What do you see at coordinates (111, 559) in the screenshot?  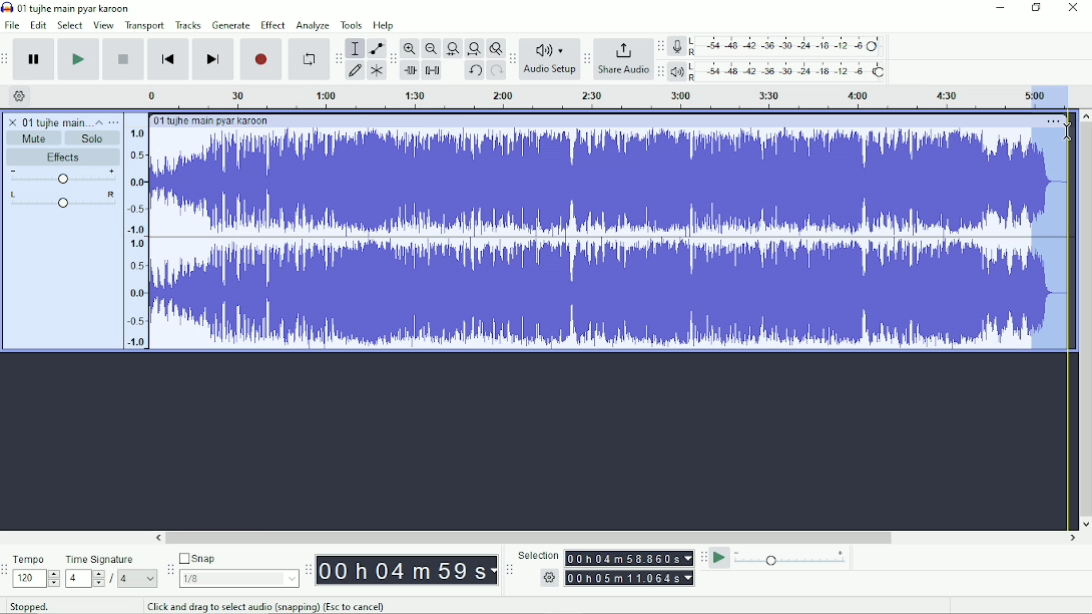 I see `Time signature` at bounding box center [111, 559].